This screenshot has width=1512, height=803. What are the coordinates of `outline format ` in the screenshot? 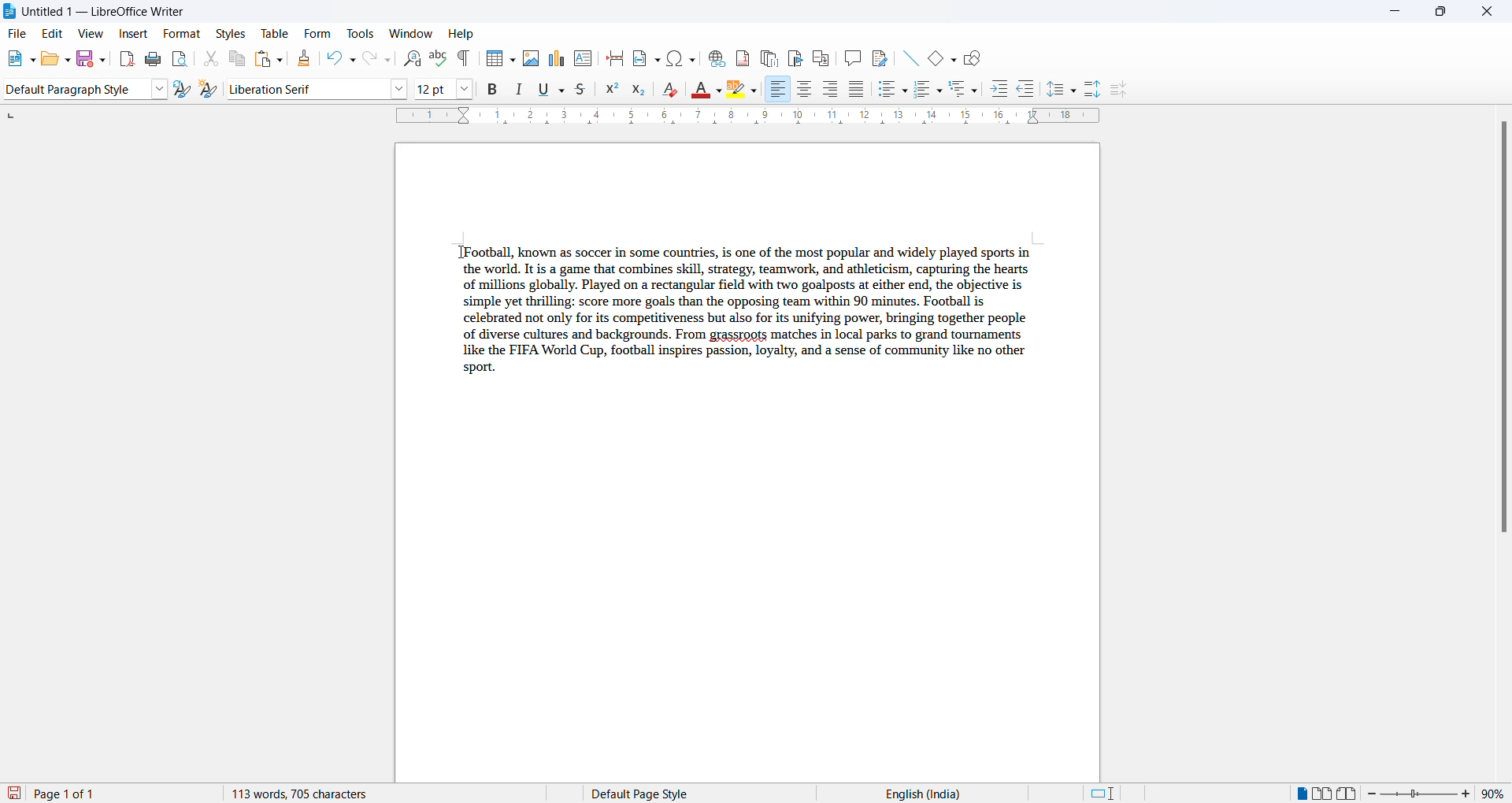 It's located at (958, 90).